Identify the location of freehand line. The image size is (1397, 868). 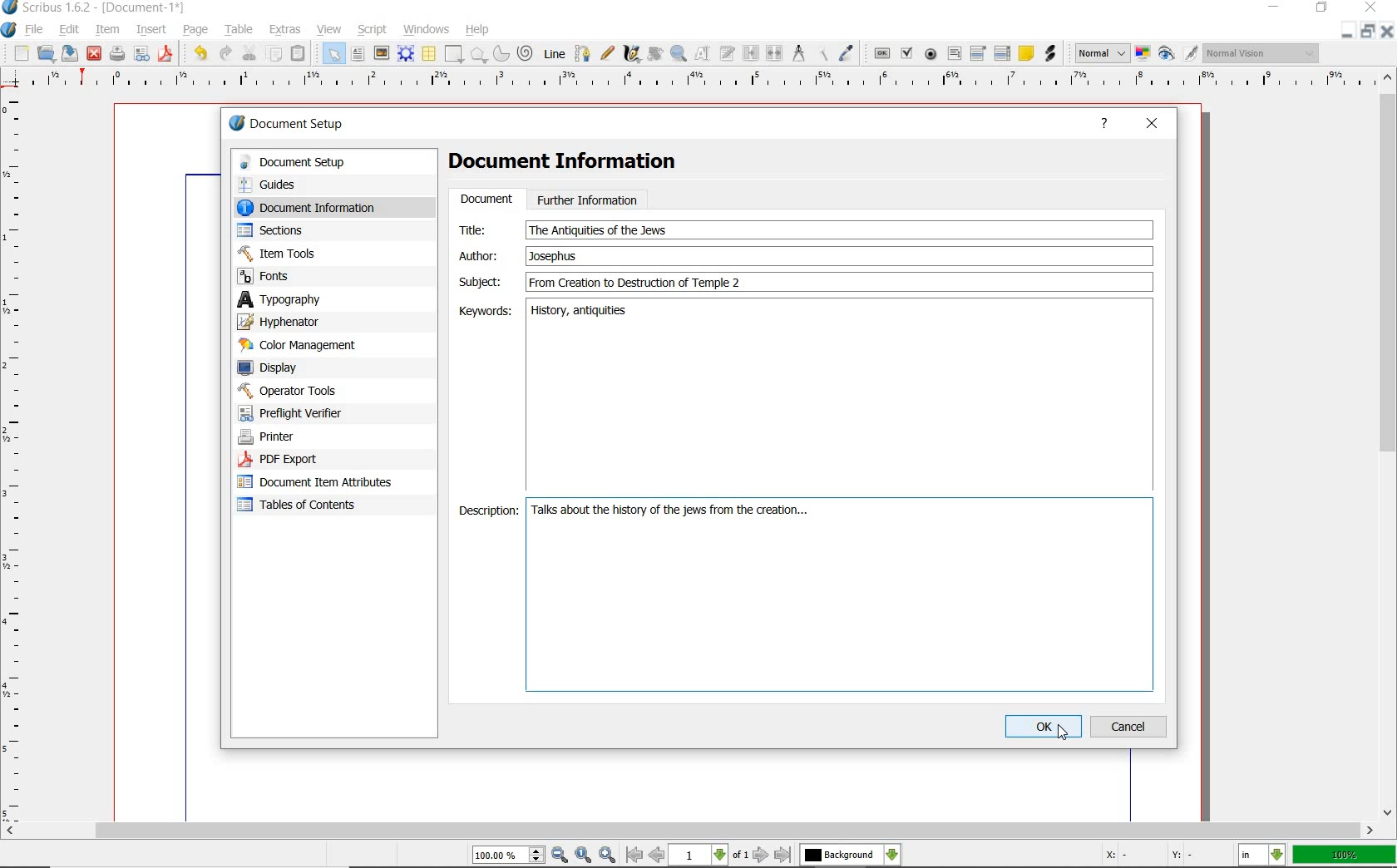
(606, 52).